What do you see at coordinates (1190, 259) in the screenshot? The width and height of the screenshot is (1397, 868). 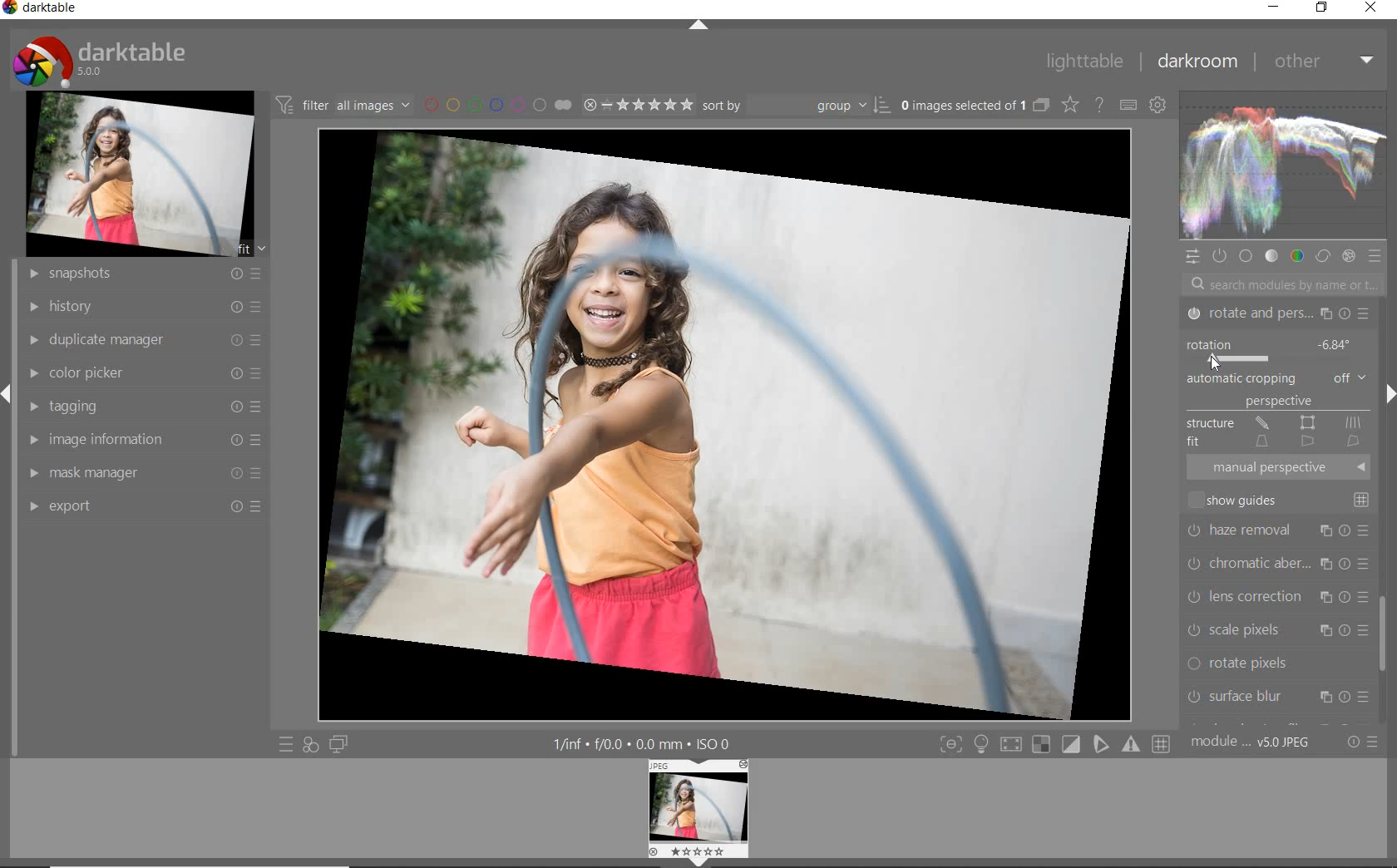 I see `quick access panel` at bounding box center [1190, 259].